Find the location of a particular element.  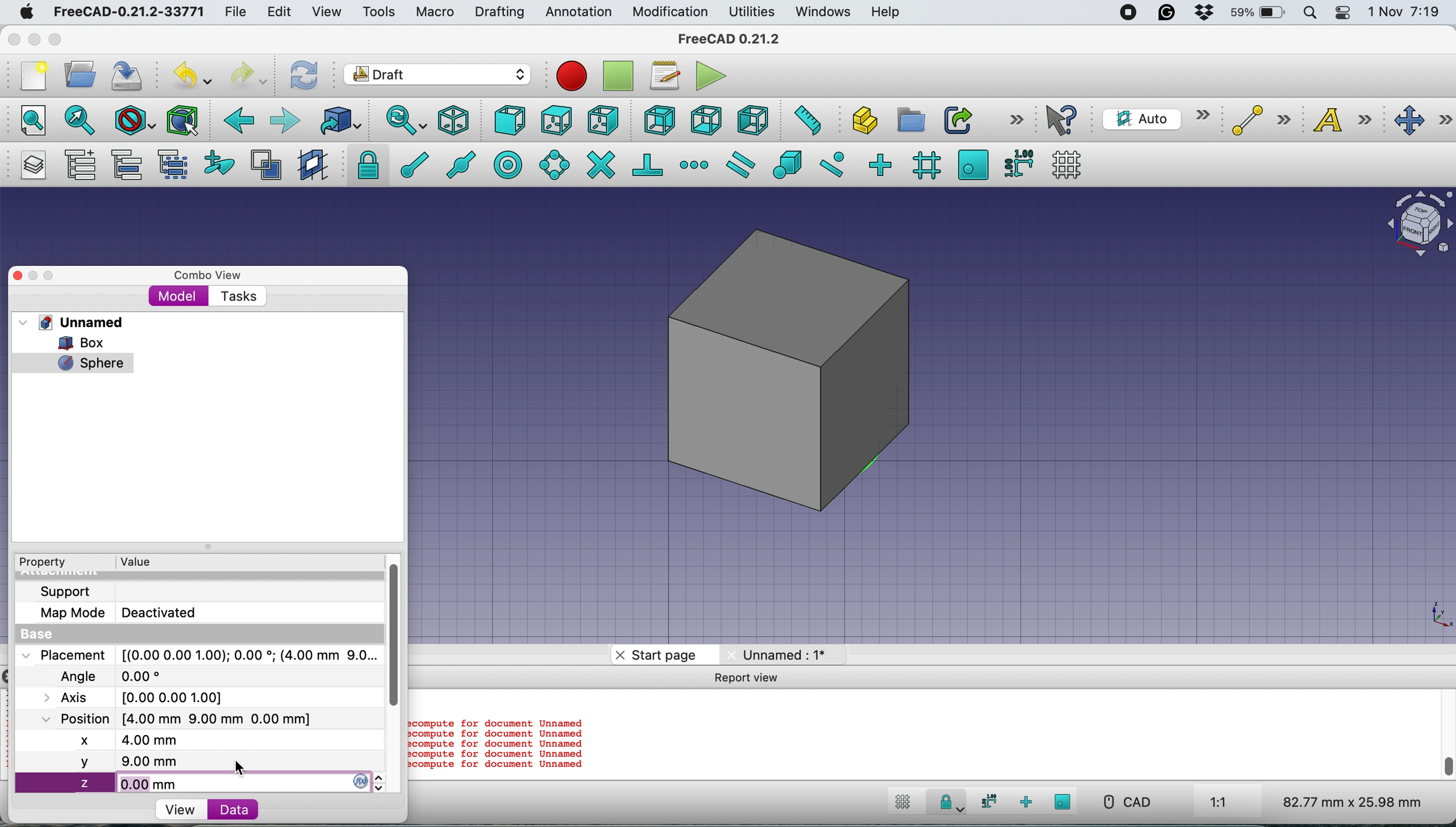

tasks is located at coordinates (237, 297).